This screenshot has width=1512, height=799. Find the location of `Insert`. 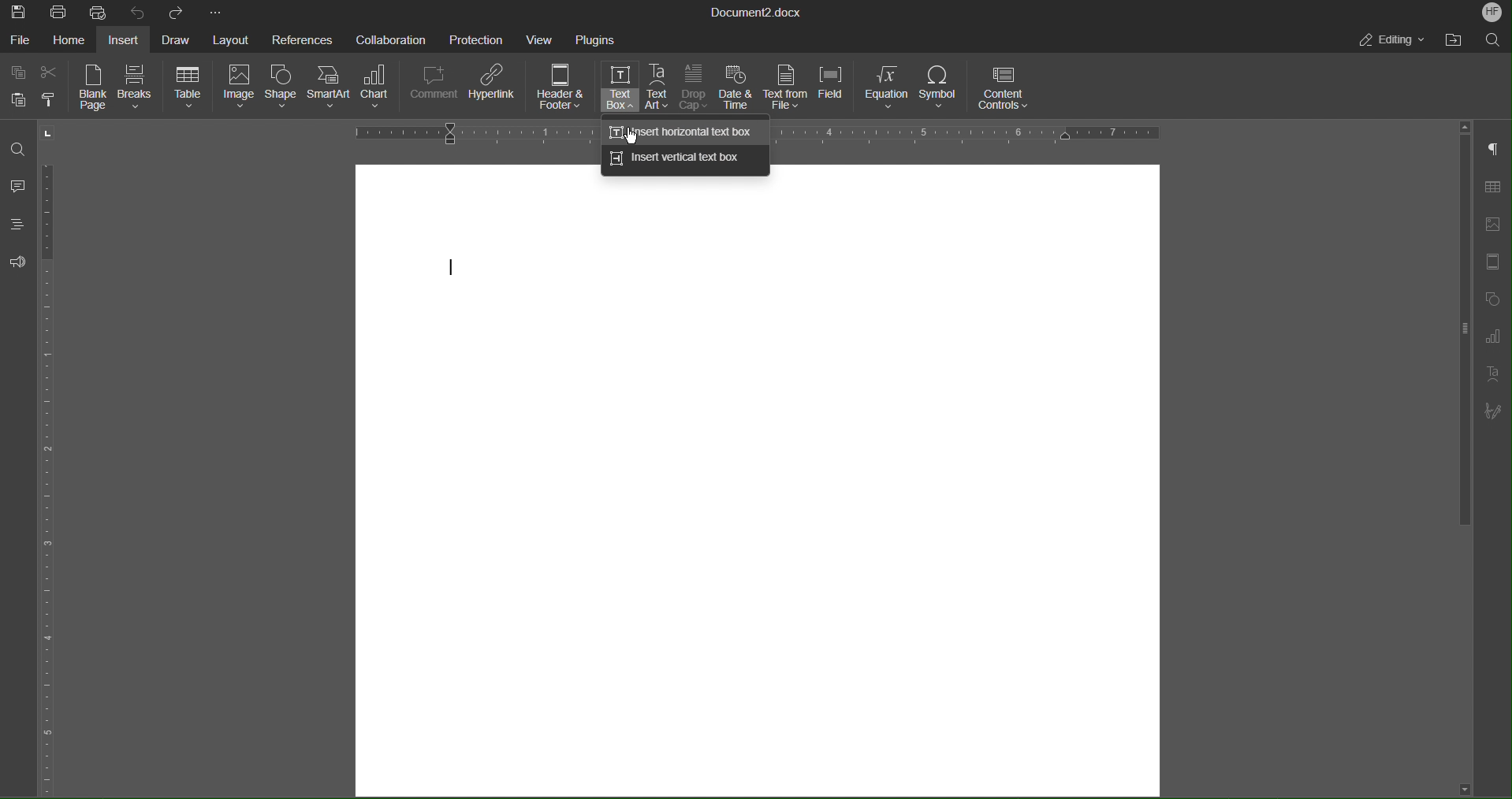

Insert is located at coordinates (125, 39).